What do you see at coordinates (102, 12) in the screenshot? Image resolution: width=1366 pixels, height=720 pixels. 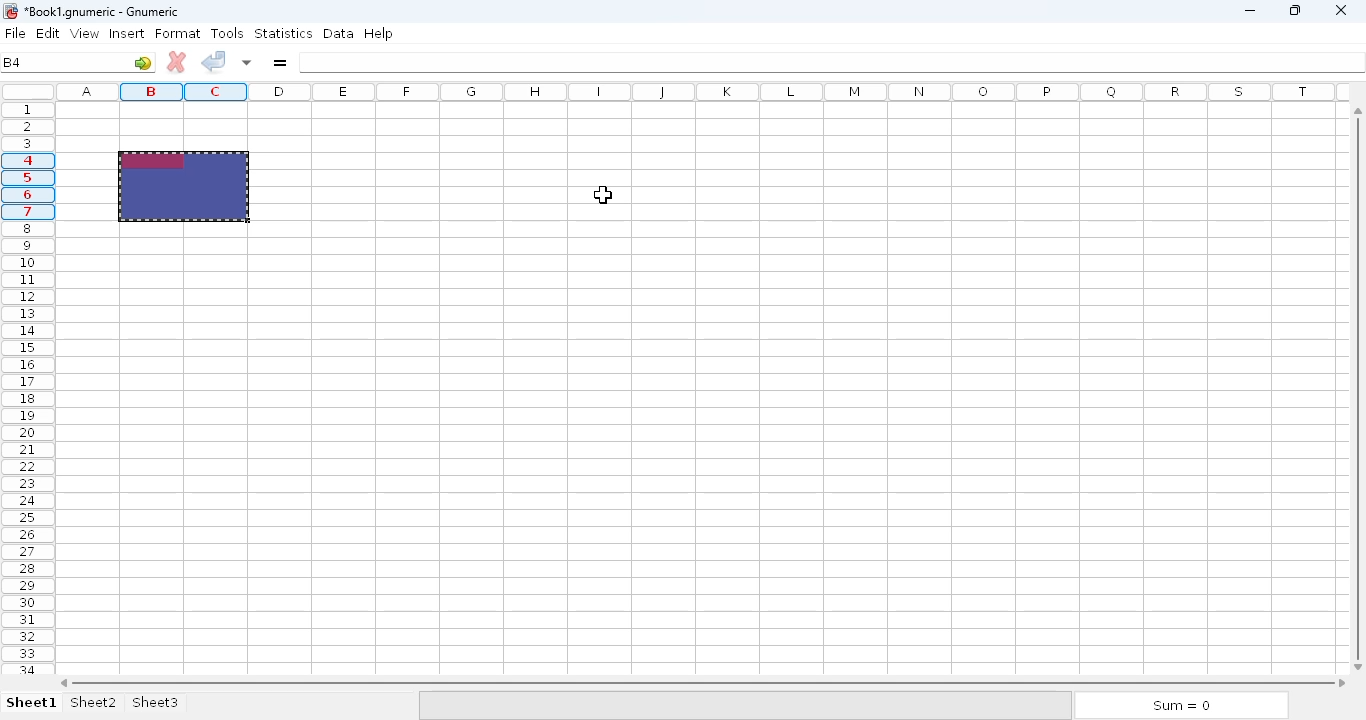 I see `Book1 numeric - Gnumeric` at bounding box center [102, 12].